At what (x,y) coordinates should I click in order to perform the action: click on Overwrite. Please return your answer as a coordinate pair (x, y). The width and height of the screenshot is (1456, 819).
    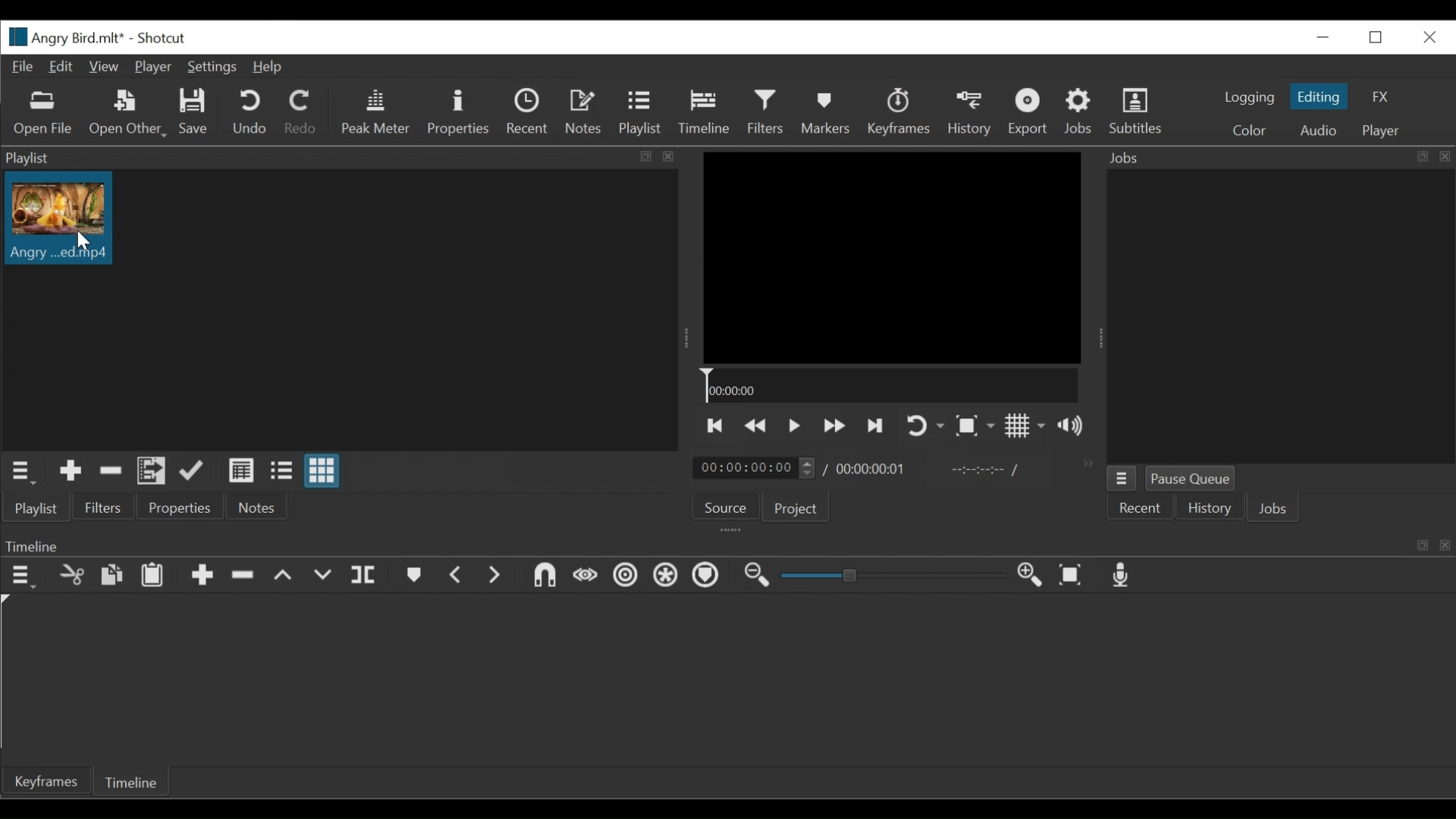
    Looking at the image, I should click on (325, 575).